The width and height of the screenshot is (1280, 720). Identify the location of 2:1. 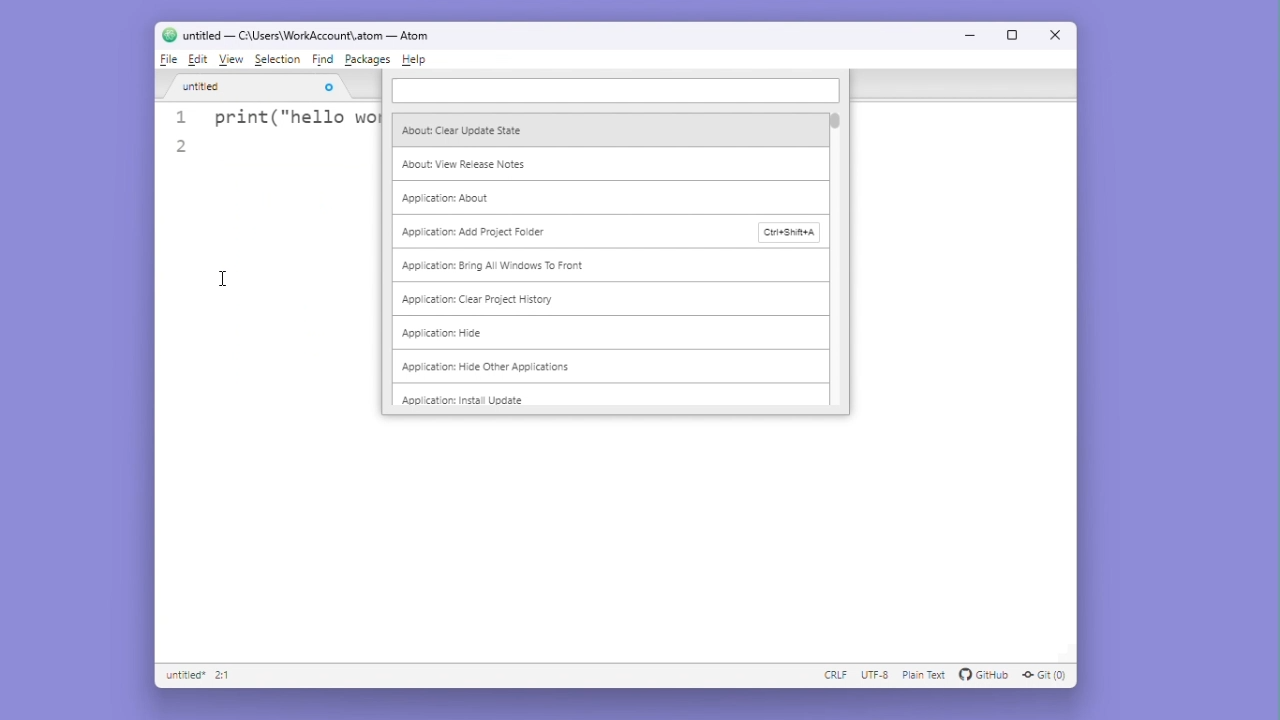
(224, 676).